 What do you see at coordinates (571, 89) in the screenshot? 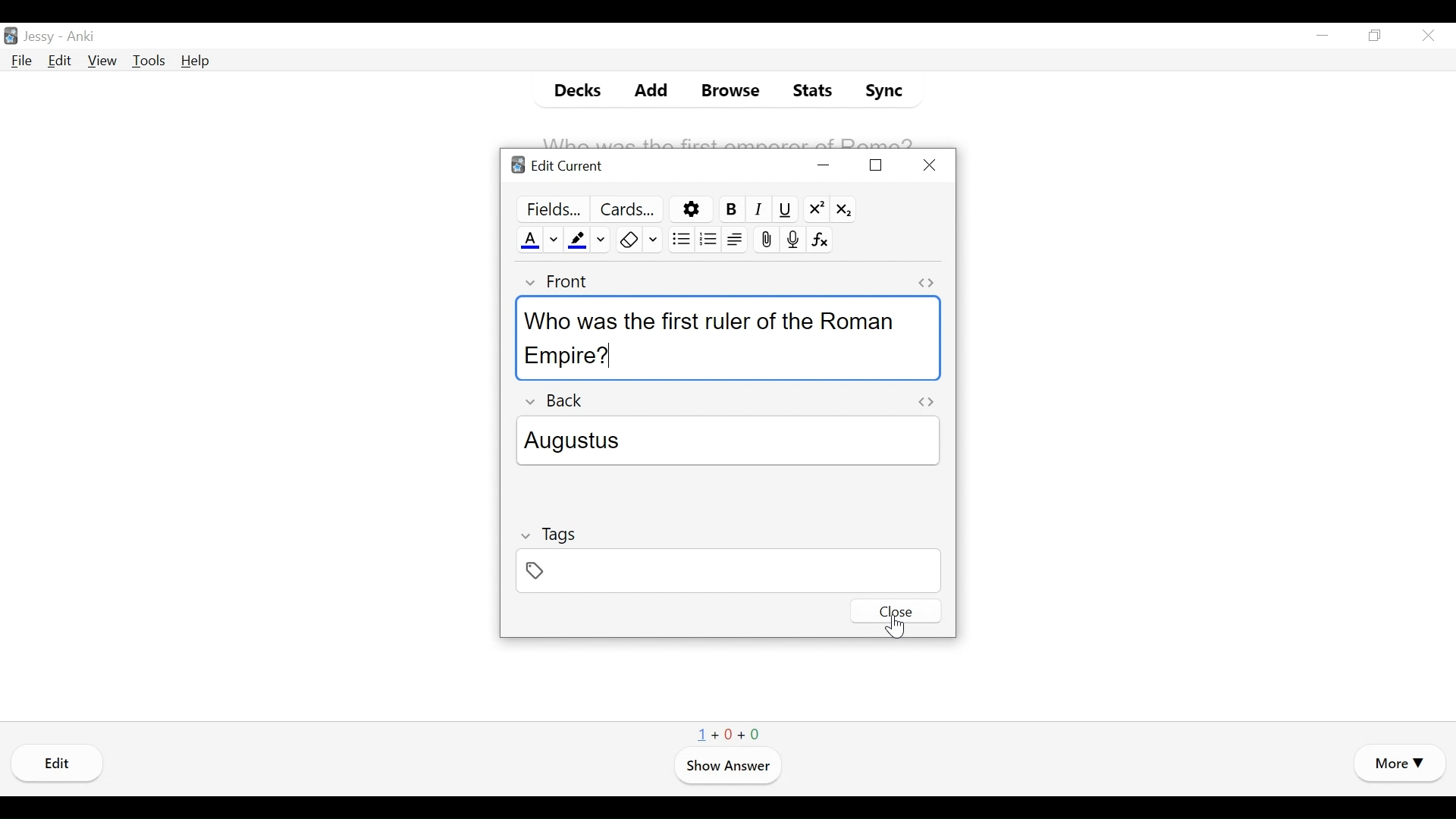
I see `Decks` at bounding box center [571, 89].